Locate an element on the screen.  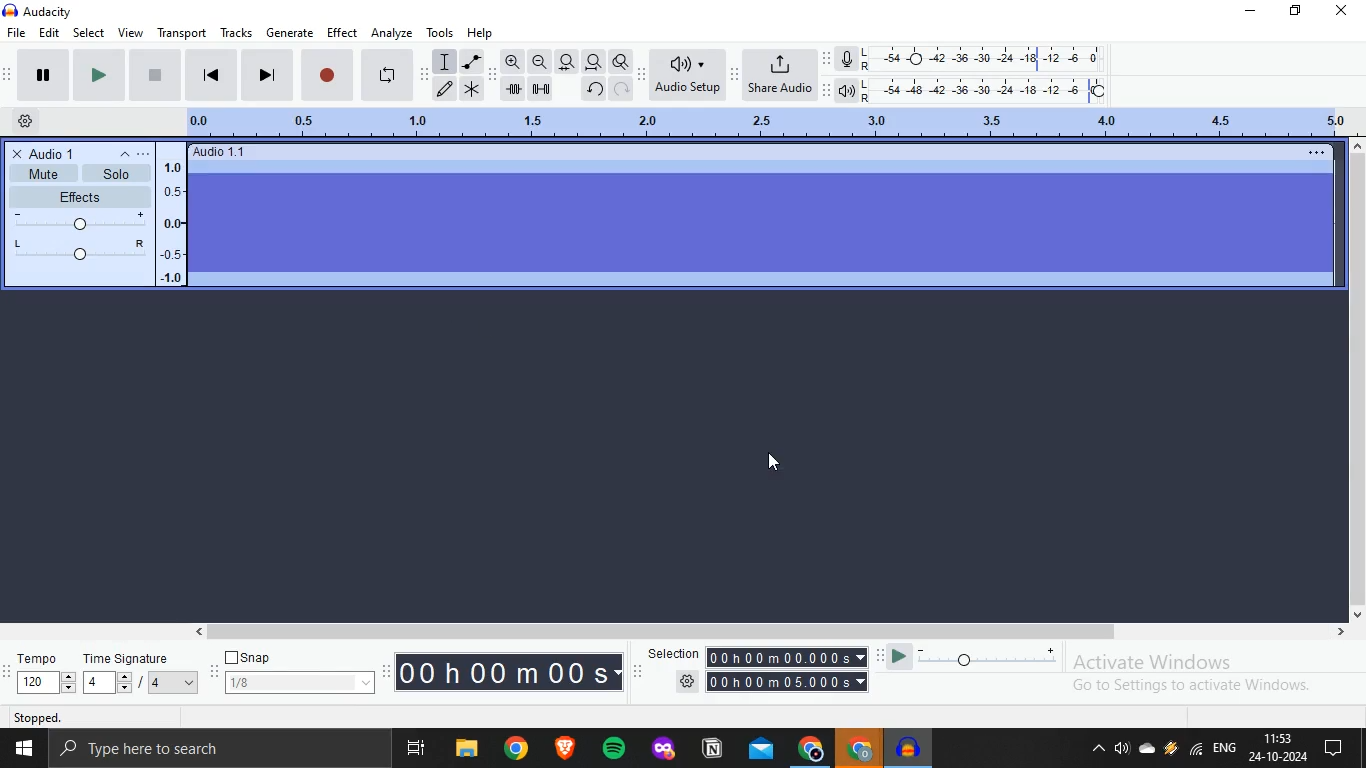
Window is located at coordinates (22, 749).